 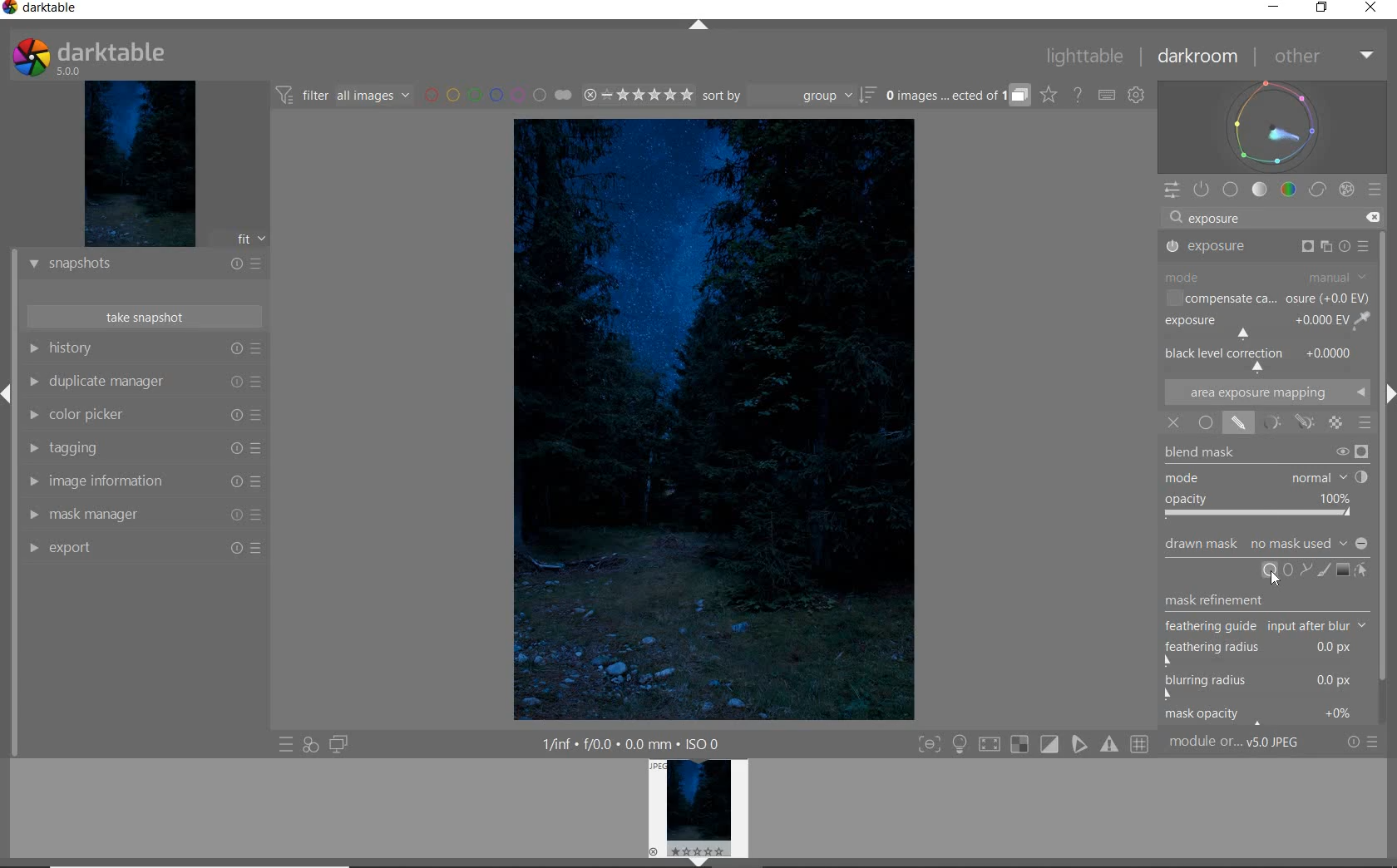 What do you see at coordinates (1347, 190) in the screenshot?
I see `EFFECT` at bounding box center [1347, 190].